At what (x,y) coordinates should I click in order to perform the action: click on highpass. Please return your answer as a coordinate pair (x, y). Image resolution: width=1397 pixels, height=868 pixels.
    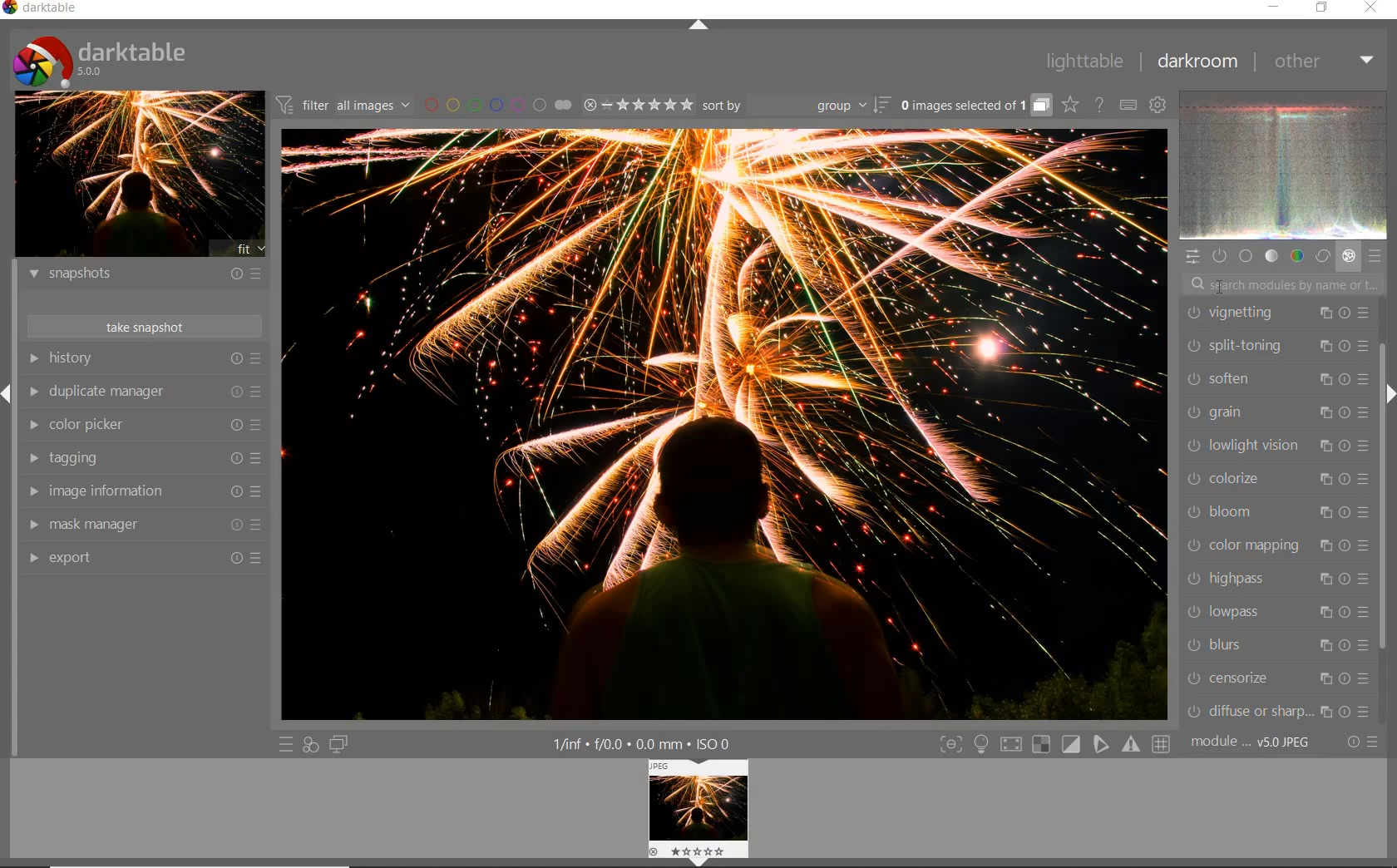
    Looking at the image, I should click on (1281, 579).